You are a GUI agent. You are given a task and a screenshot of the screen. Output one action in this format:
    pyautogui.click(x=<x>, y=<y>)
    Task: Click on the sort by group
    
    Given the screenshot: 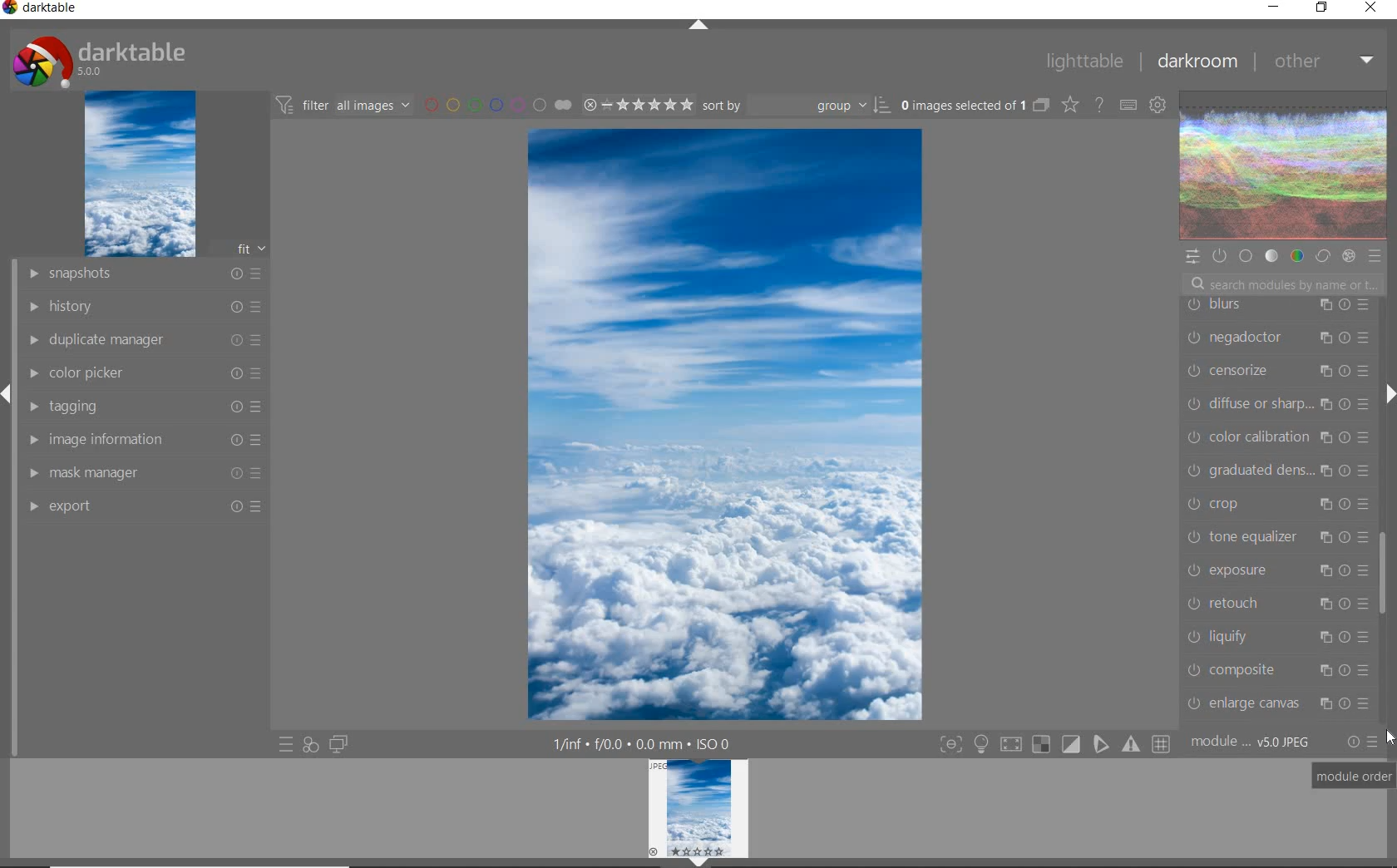 What is the action you would take?
    pyautogui.click(x=794, y=106)
    